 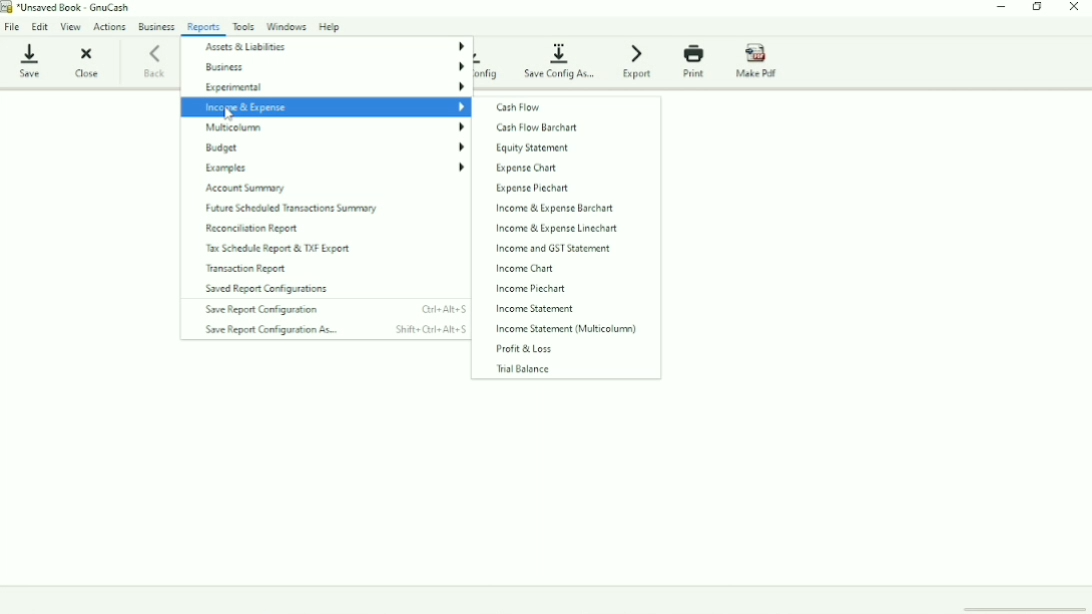 I want to click on Income & Expense Barchart, so click(x=552, y=208).